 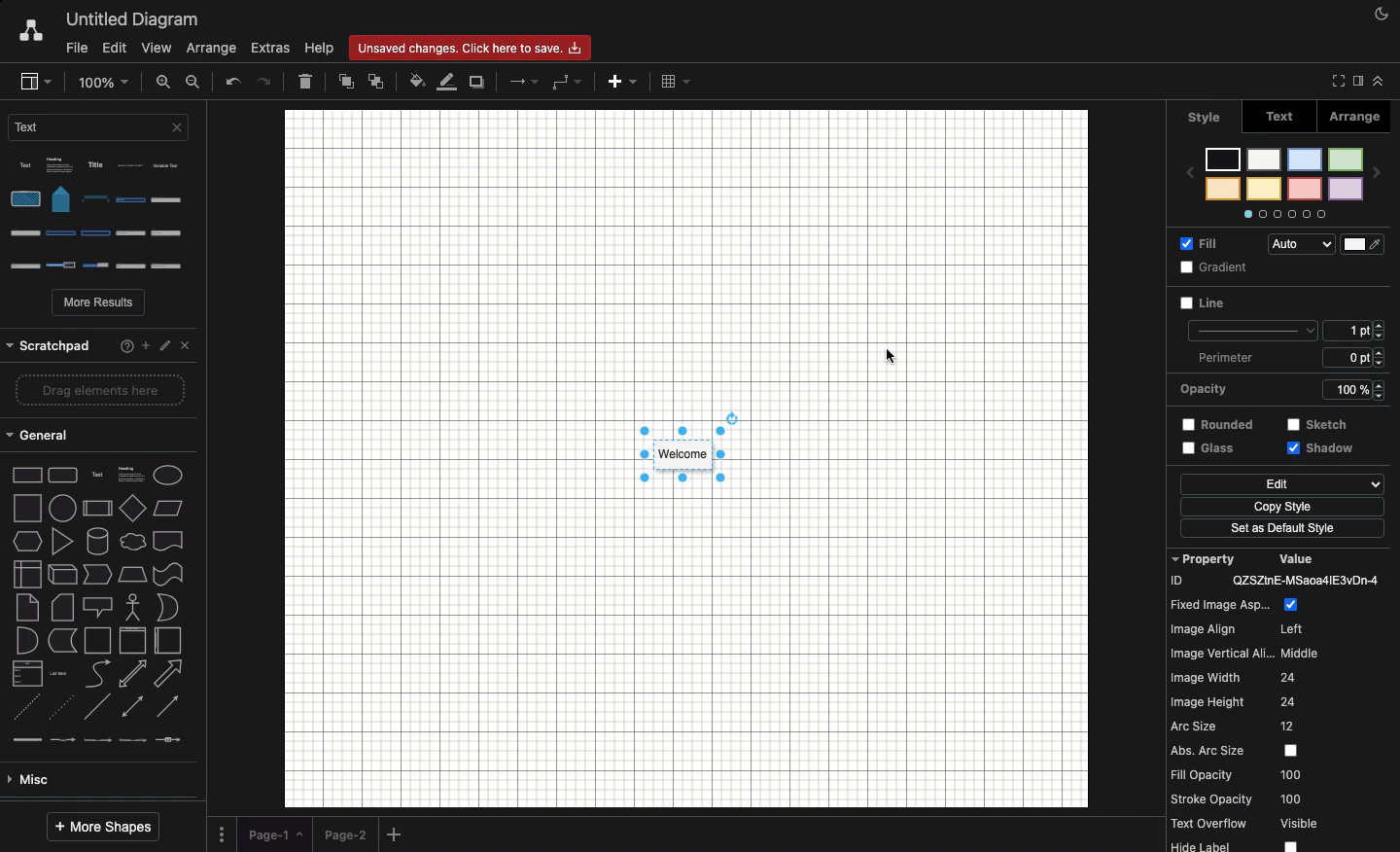 What do you see at coordinates (1283, 505) in the screenshot?
I see `Set as default style` at bounding box center [1283, 505].